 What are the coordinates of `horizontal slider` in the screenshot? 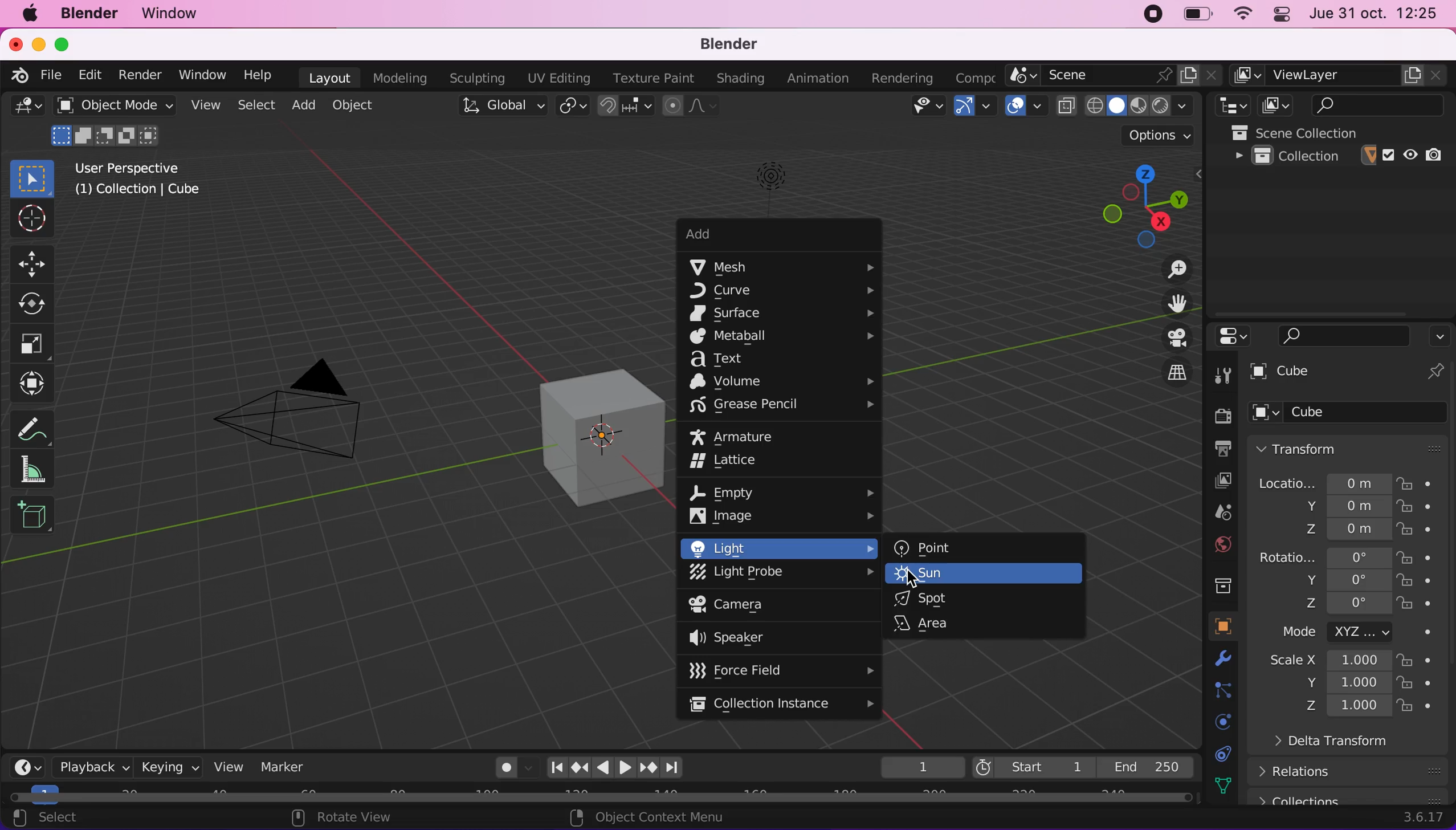 It's located at (601, 797).